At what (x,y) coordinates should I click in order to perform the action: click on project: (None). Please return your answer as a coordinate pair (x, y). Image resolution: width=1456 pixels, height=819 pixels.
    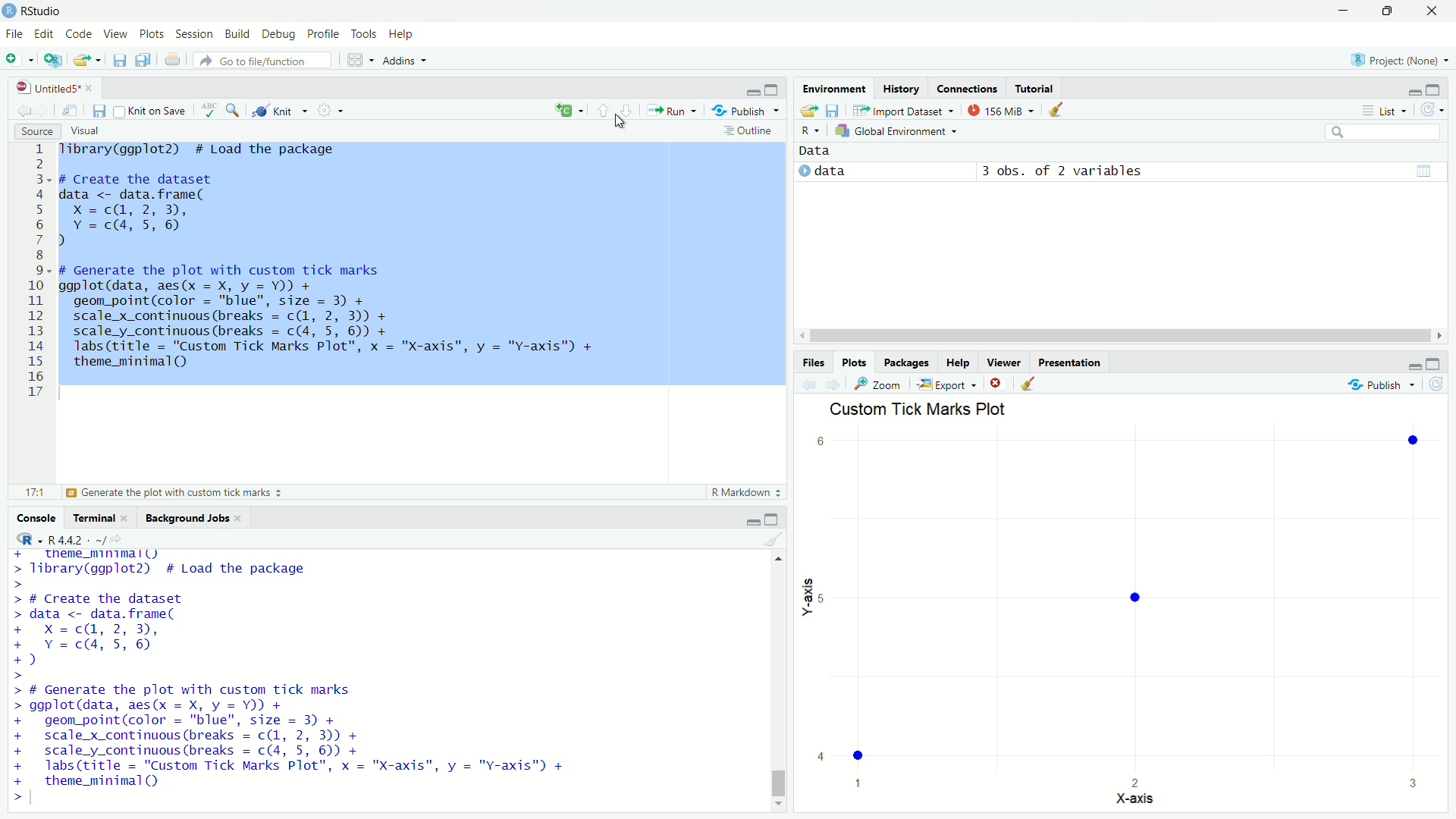
    Looking at the image, I should click on (1398, 56).